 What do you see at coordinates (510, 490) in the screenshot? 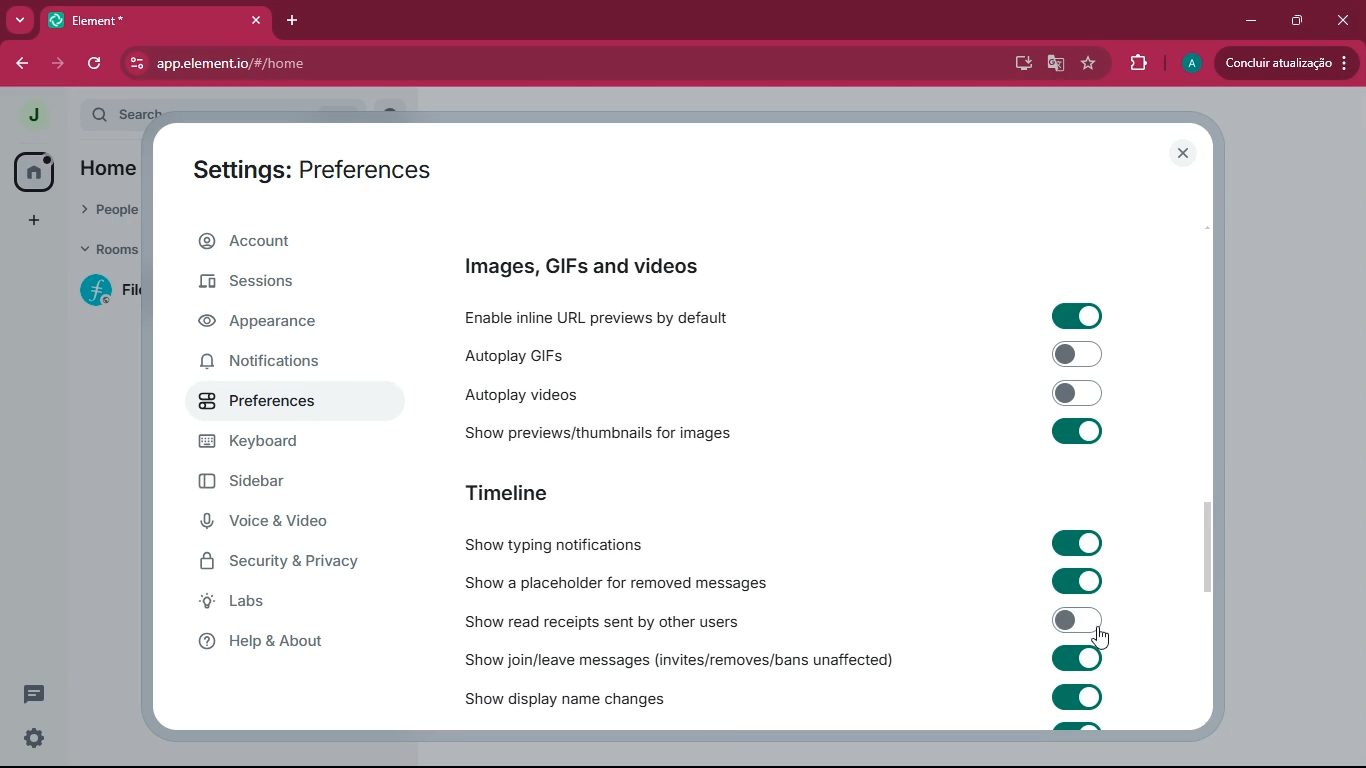
I see `timeline` at bounding box center [510, 490].